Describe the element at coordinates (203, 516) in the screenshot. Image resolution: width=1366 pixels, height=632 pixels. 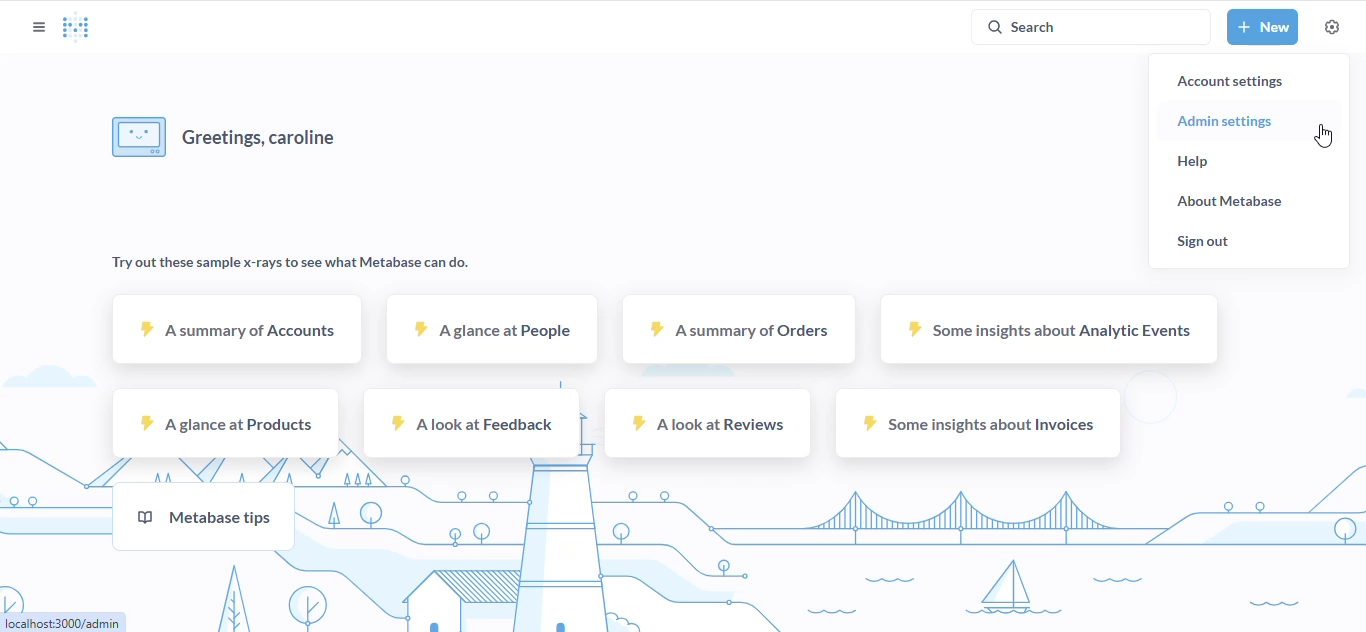
I see `metabase tips` at that location.